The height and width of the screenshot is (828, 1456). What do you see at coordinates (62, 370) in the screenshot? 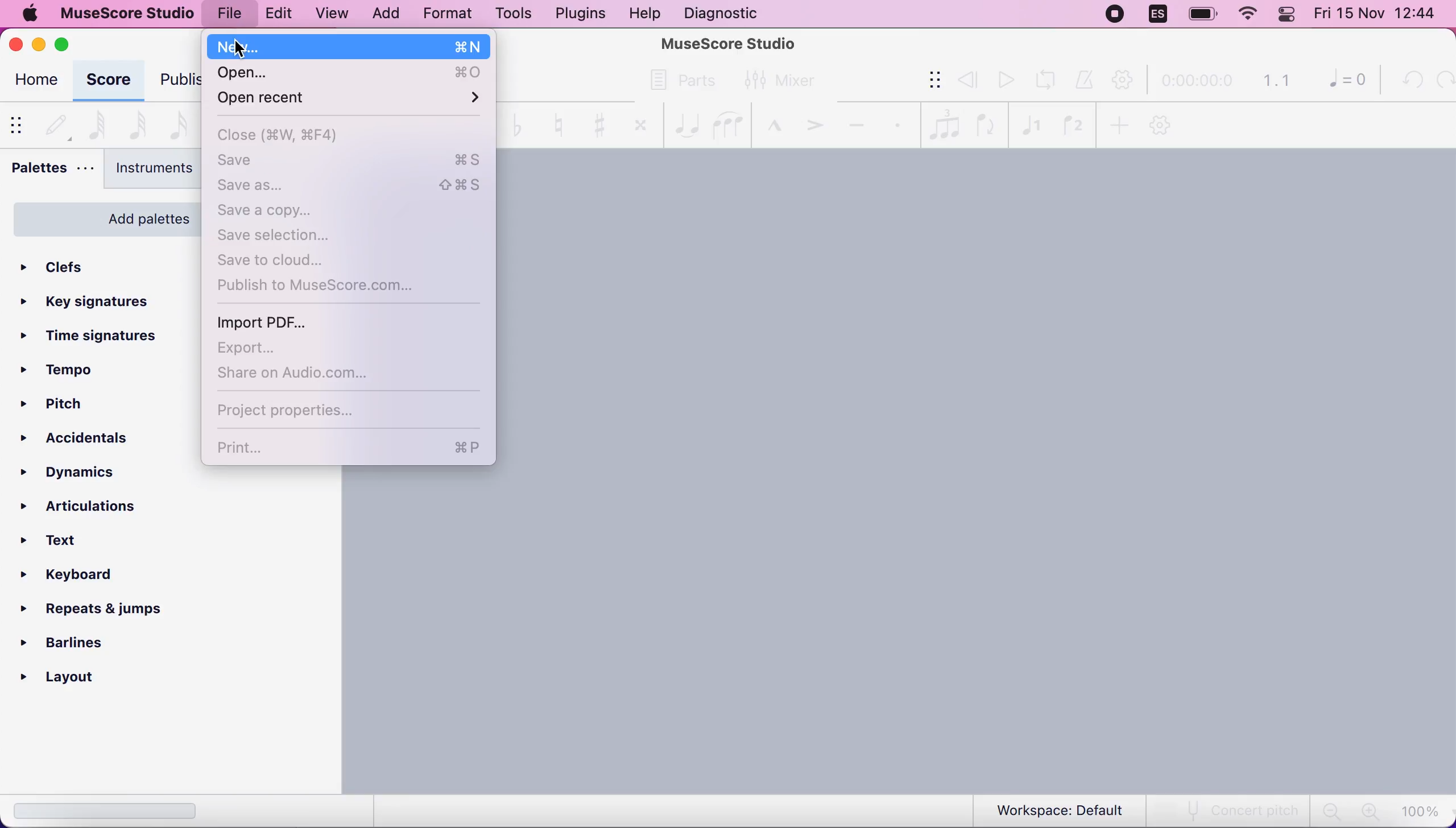
I see `tempo` at bounding box center [62, 370].